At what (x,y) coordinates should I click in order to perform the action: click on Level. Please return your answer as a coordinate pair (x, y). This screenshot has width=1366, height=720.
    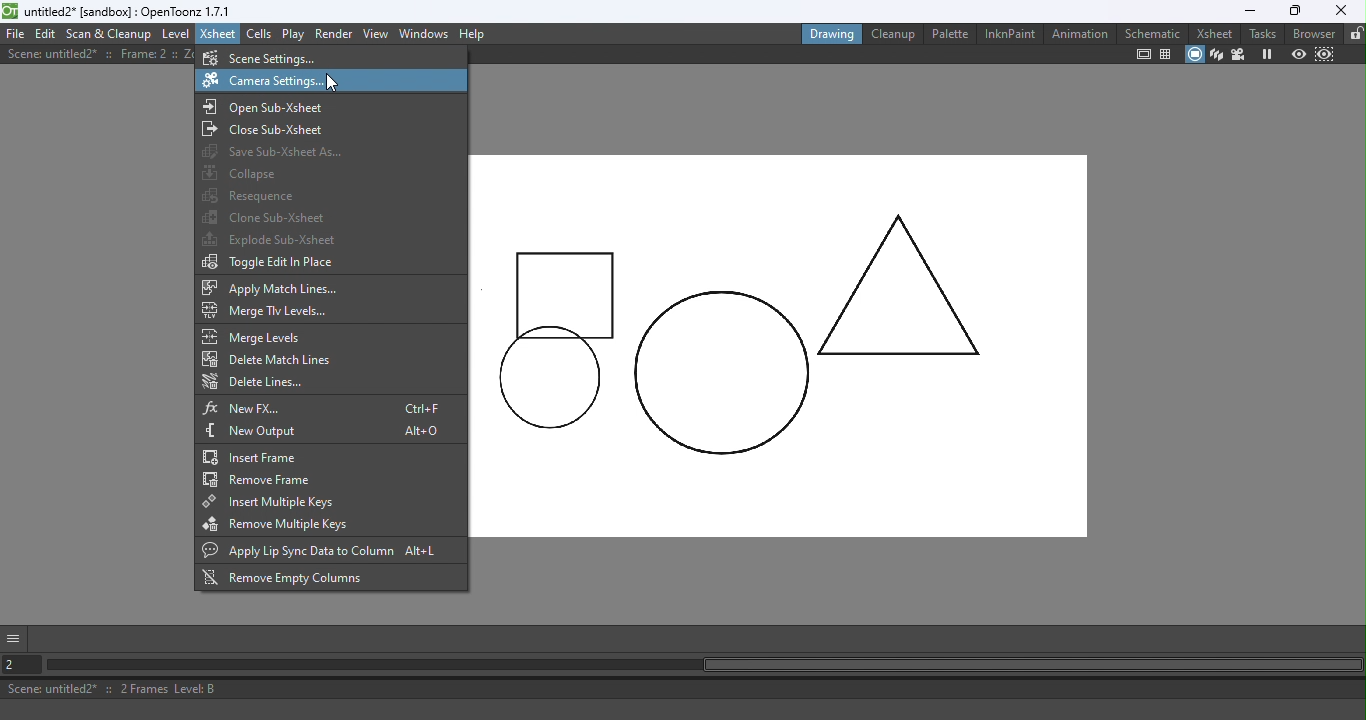
    Looking at the image, I should click on (177, 32).